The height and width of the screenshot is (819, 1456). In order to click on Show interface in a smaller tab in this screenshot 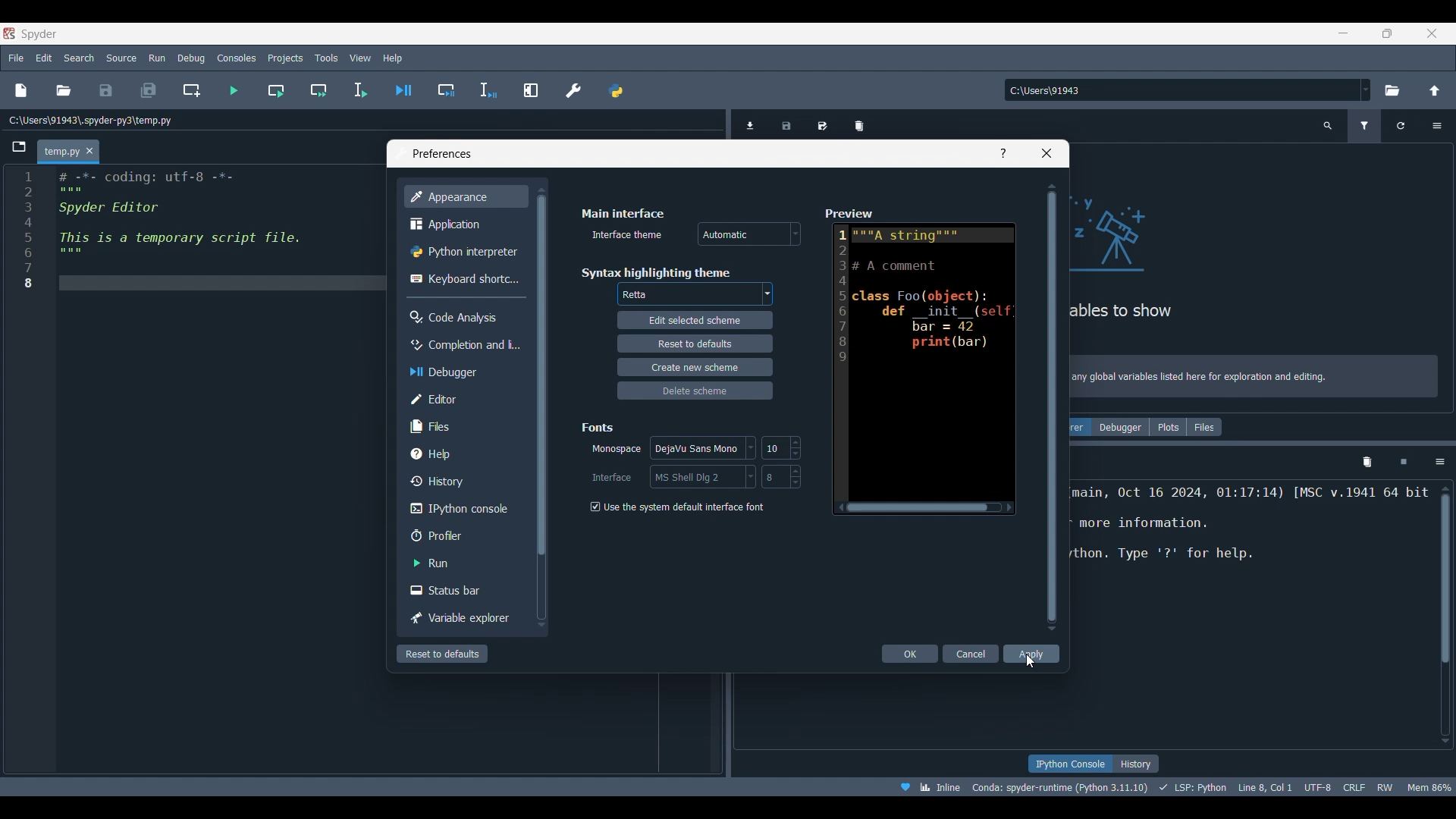, I will do `click(1387, 33)`.